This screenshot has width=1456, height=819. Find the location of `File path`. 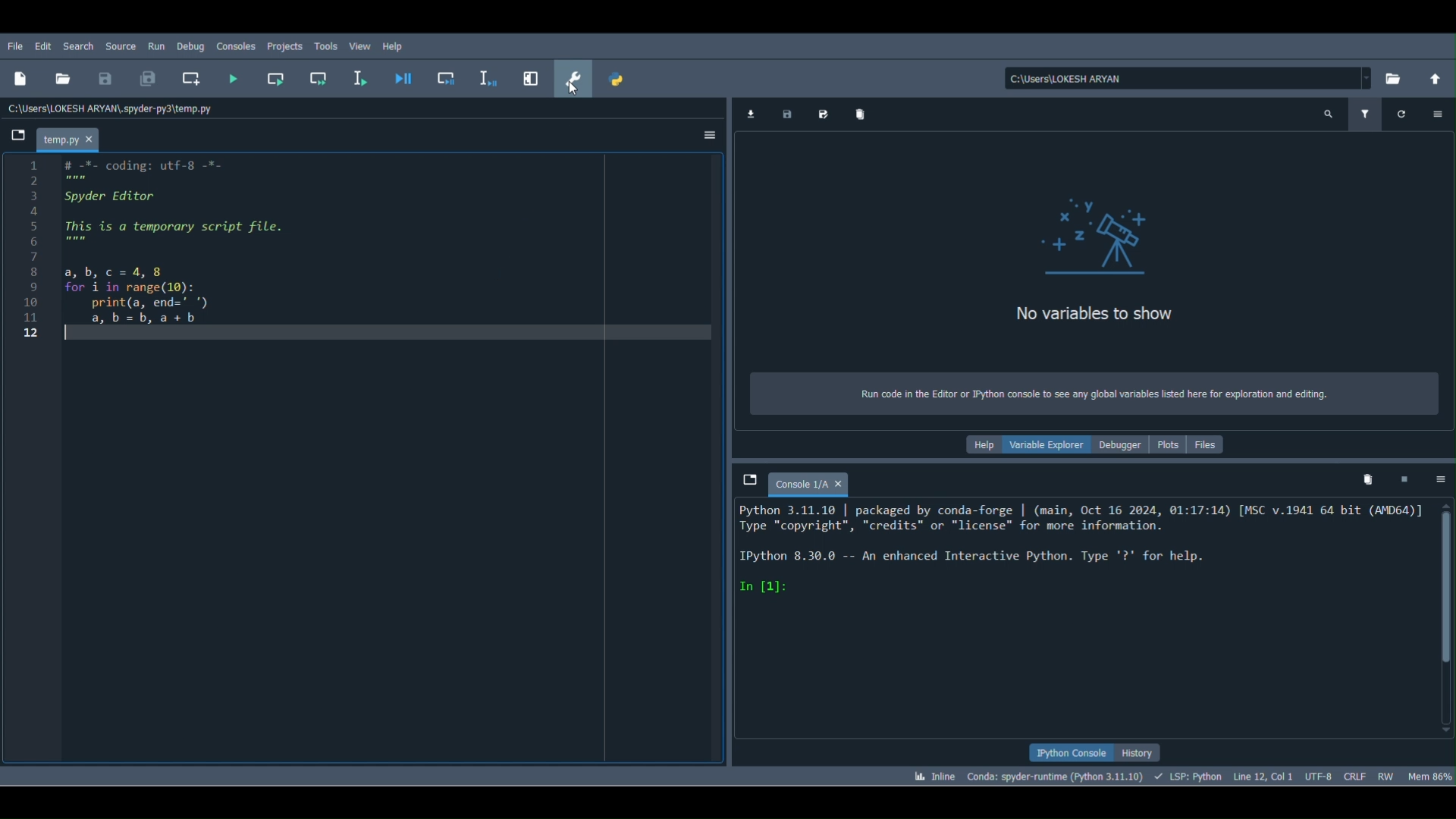

File path is located at coordinates (1178, 78).